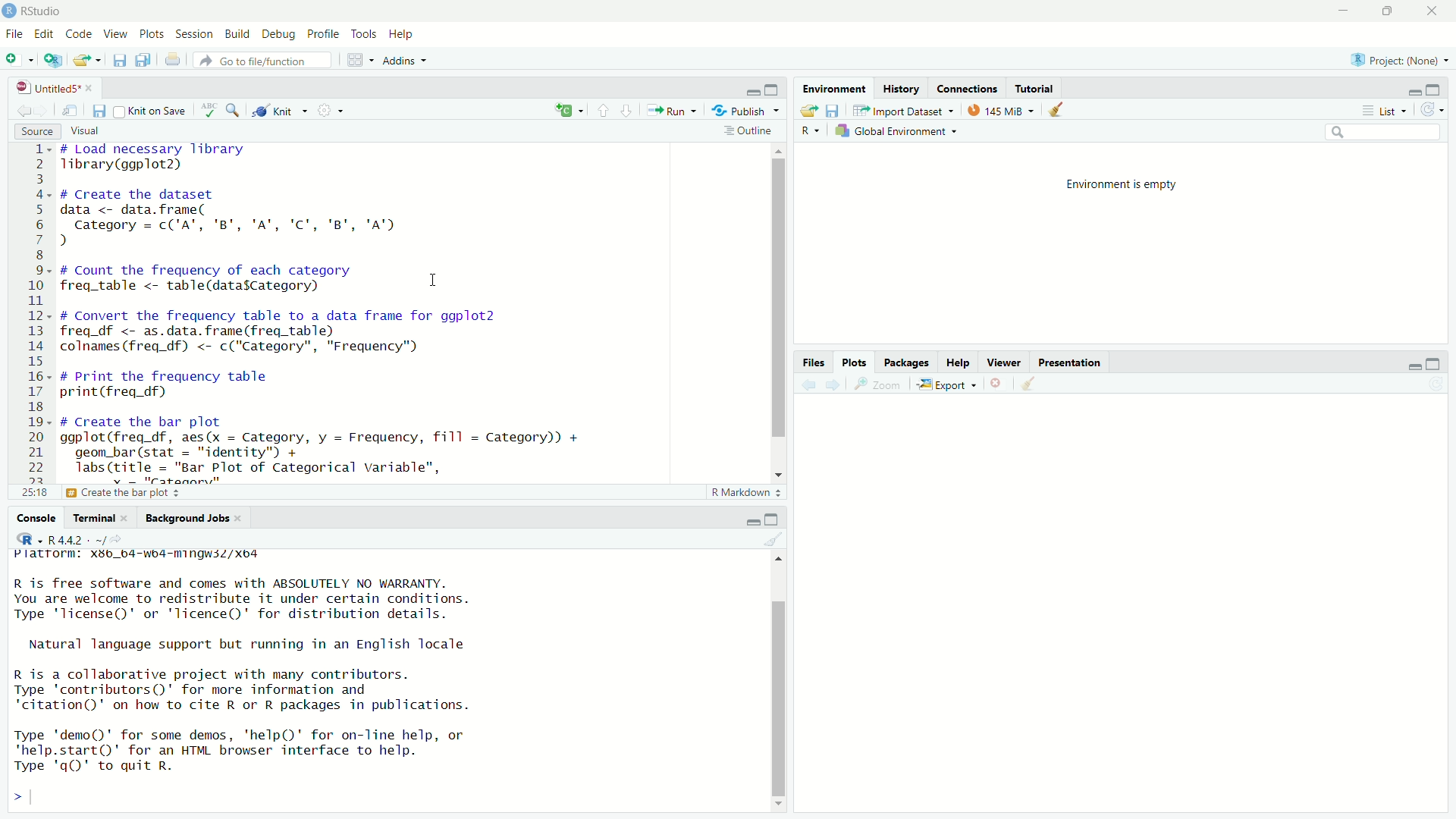  What do you see at coordinates (84, 131) in the screenshot?
I see `visual` at bounding box center [84, 131].